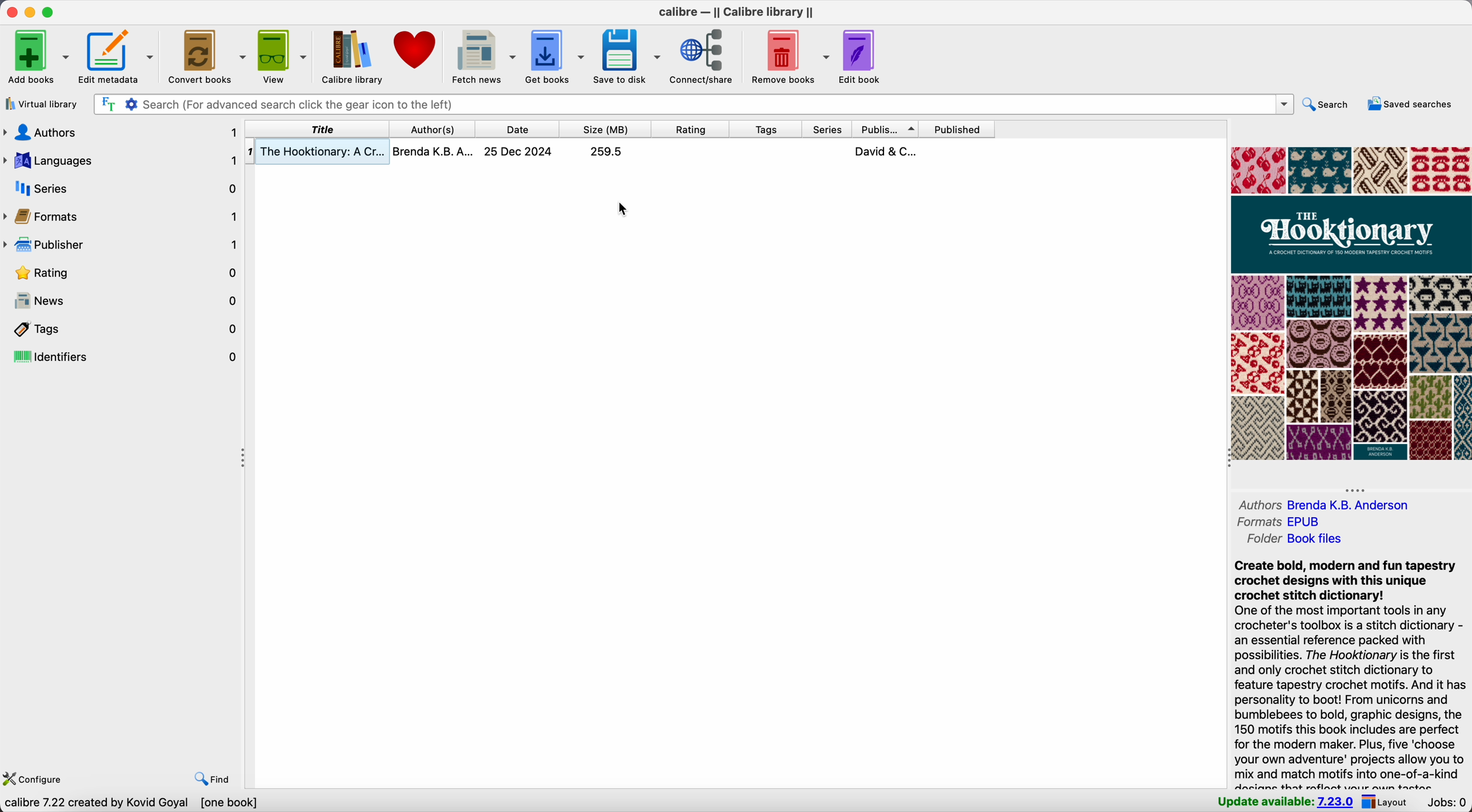 This screenshot has height=812, width=1472. Describe the element at coordinates (627, 58) in the screenshot. I see `save to disk` at that location.